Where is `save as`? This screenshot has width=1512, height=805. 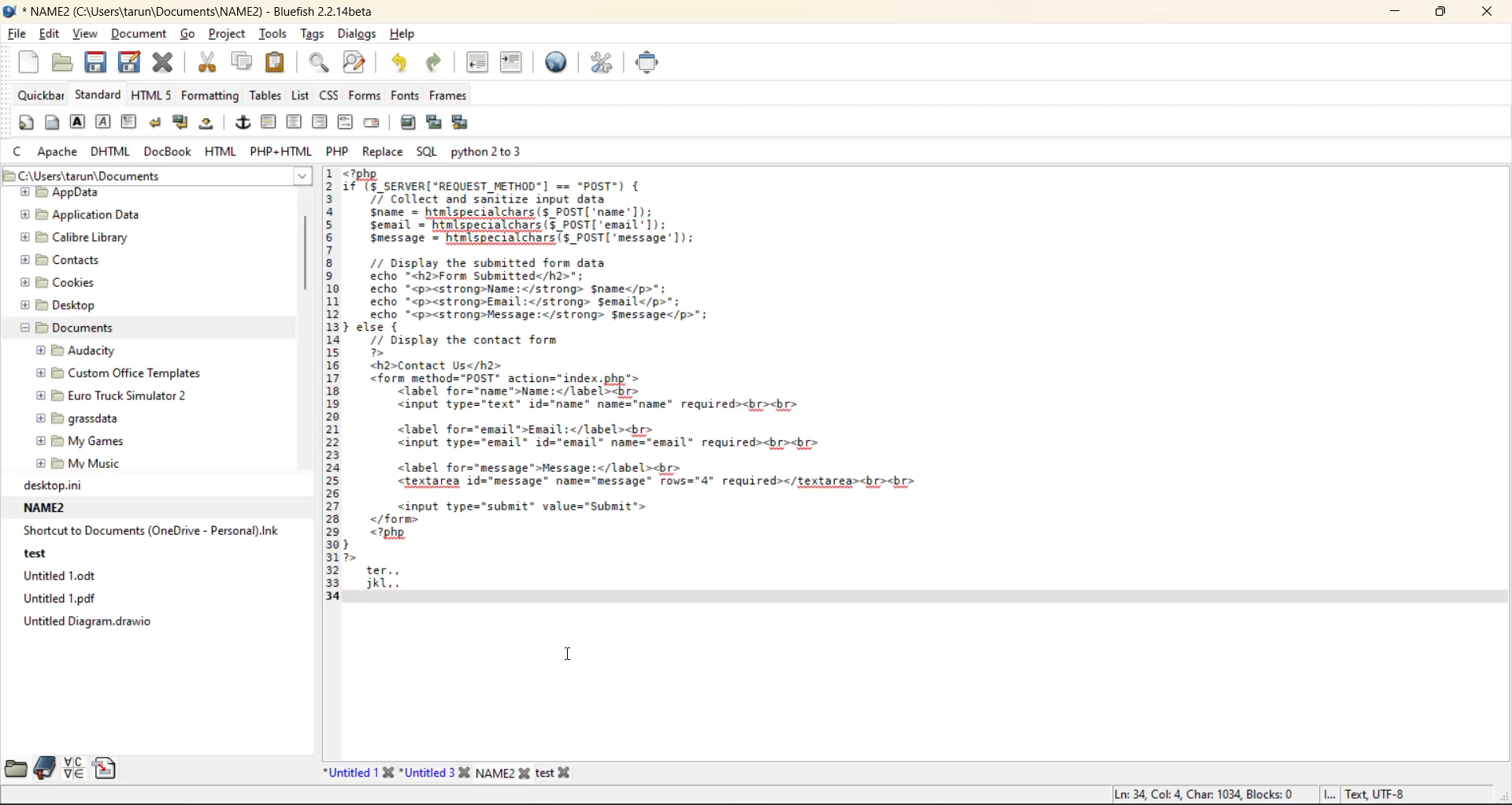
save as is located at coordinates (128, 62).